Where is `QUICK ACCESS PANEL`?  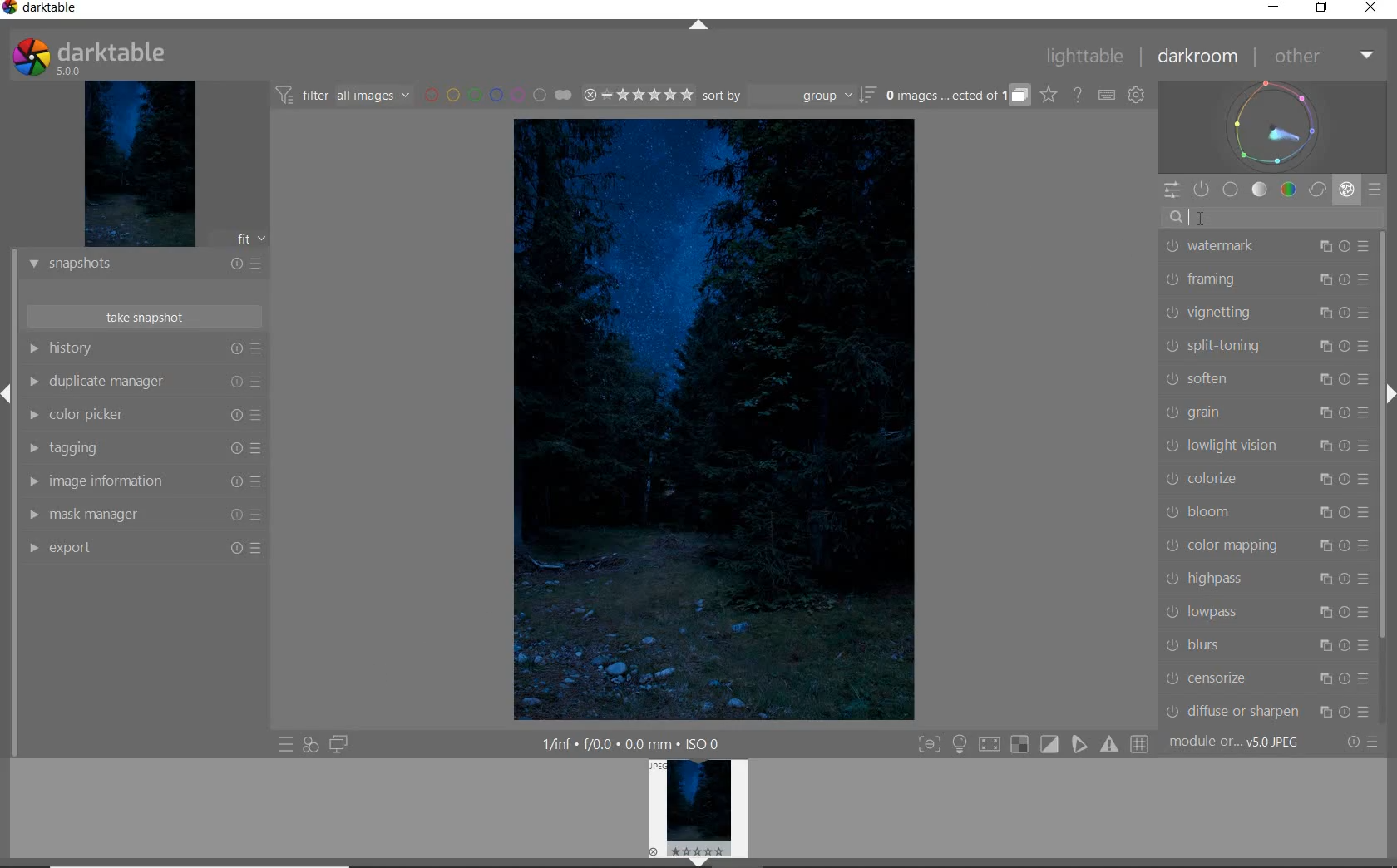
QUICK ACCESS PANEL is located at coordinates (1170, 190).